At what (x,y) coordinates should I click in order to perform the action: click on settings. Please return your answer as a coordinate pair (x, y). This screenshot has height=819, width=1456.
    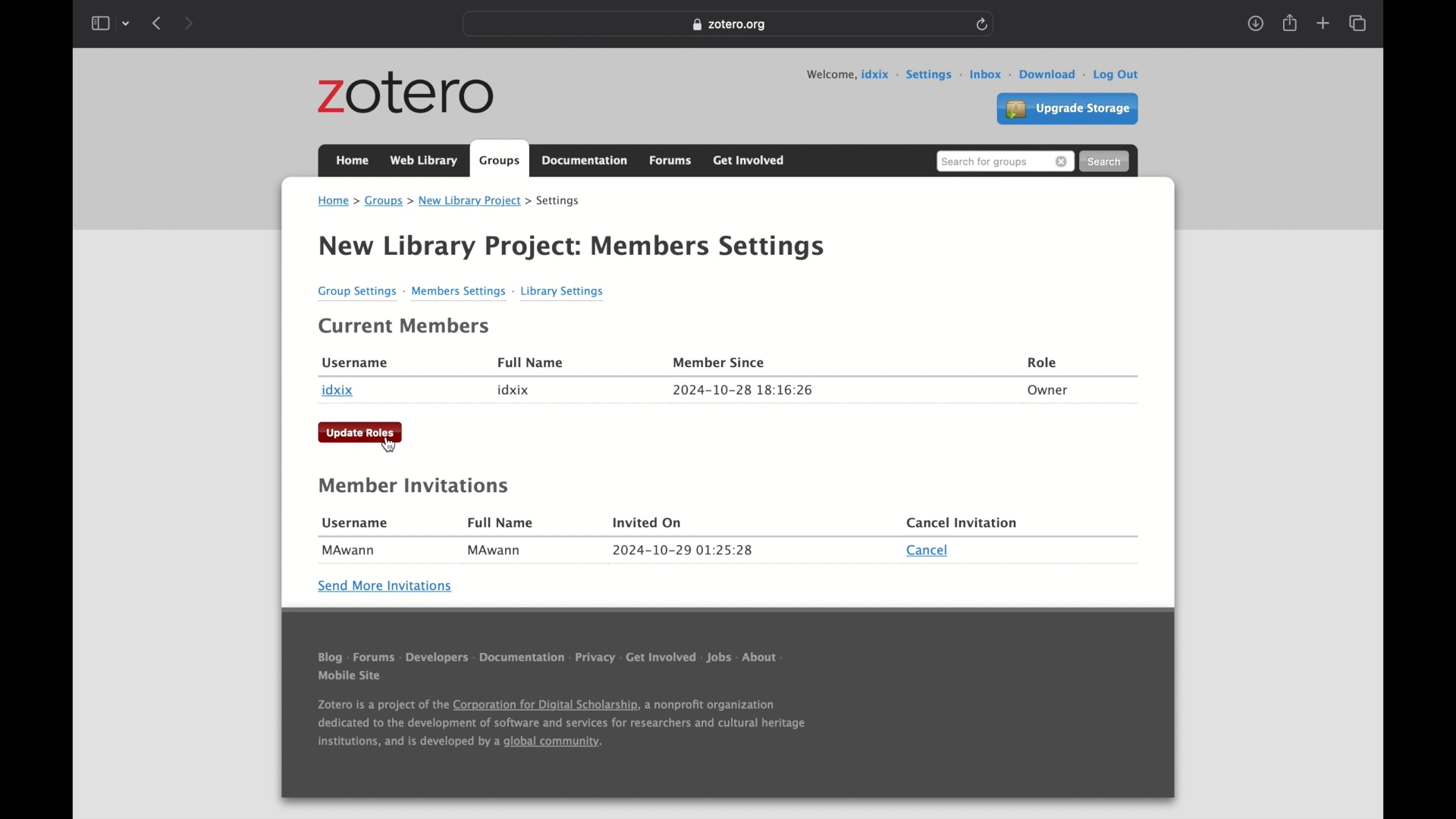
    Looking at the image, I should click on (560, 202).